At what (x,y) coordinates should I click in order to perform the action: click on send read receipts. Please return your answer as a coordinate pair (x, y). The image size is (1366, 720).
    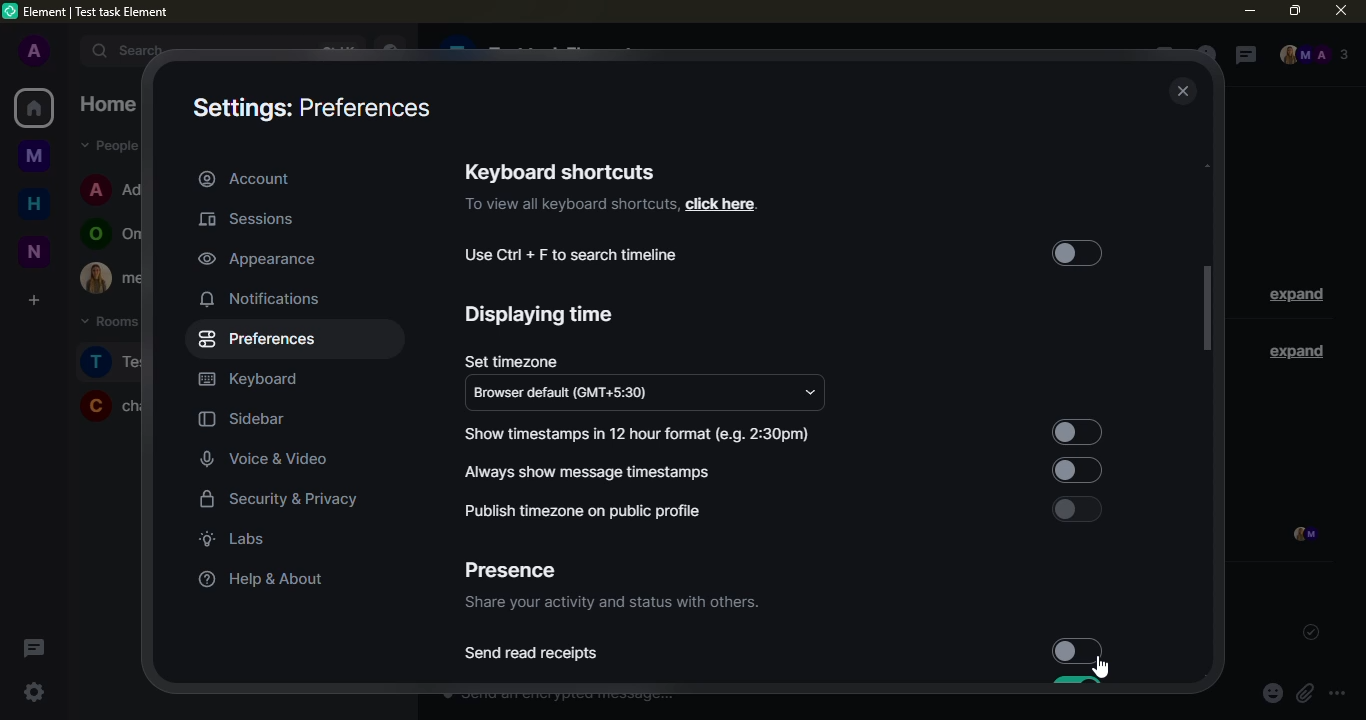
    Looking at the image, I should click on (533, 654).